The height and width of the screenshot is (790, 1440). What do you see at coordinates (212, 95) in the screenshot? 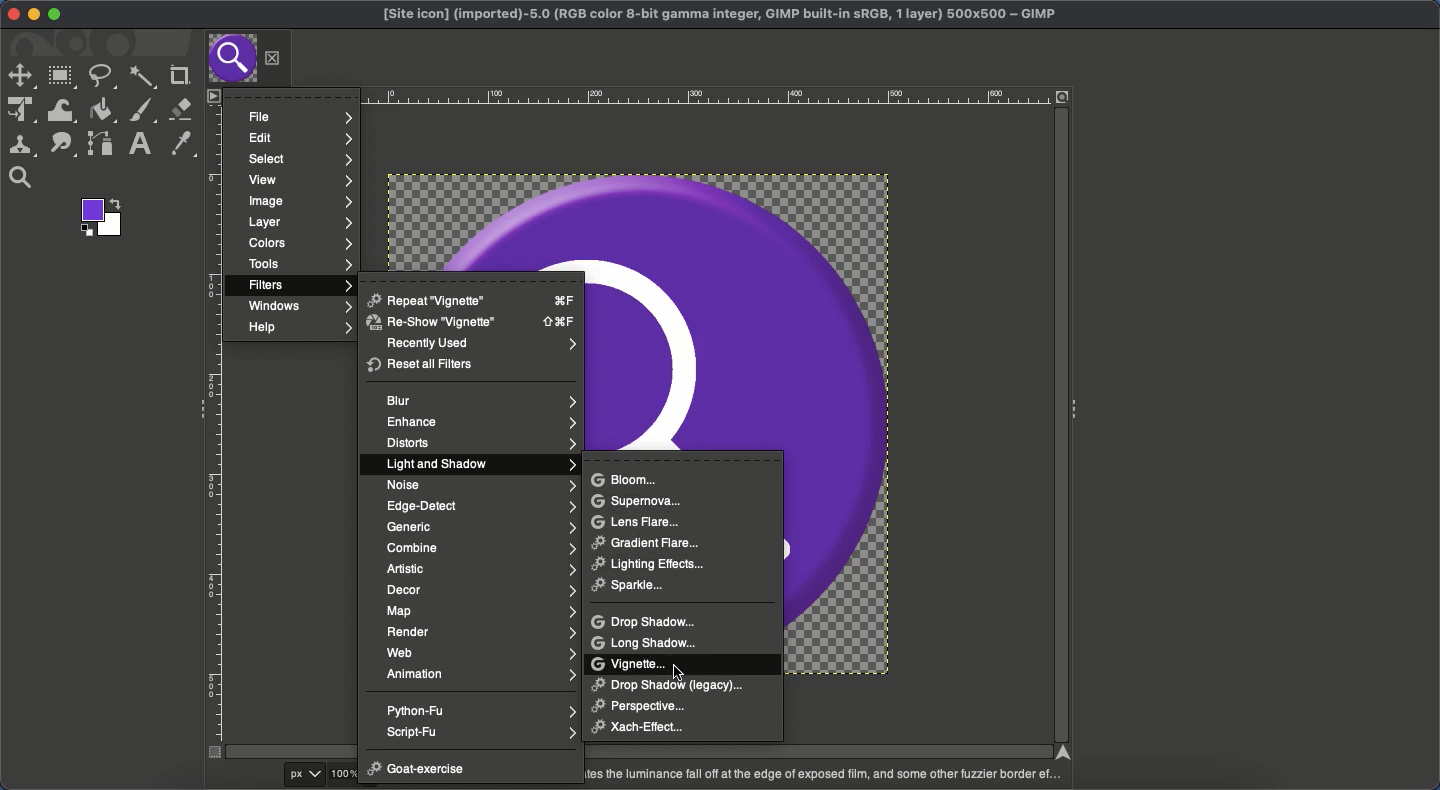
I see `Menu` at bounding box center [212, 95].